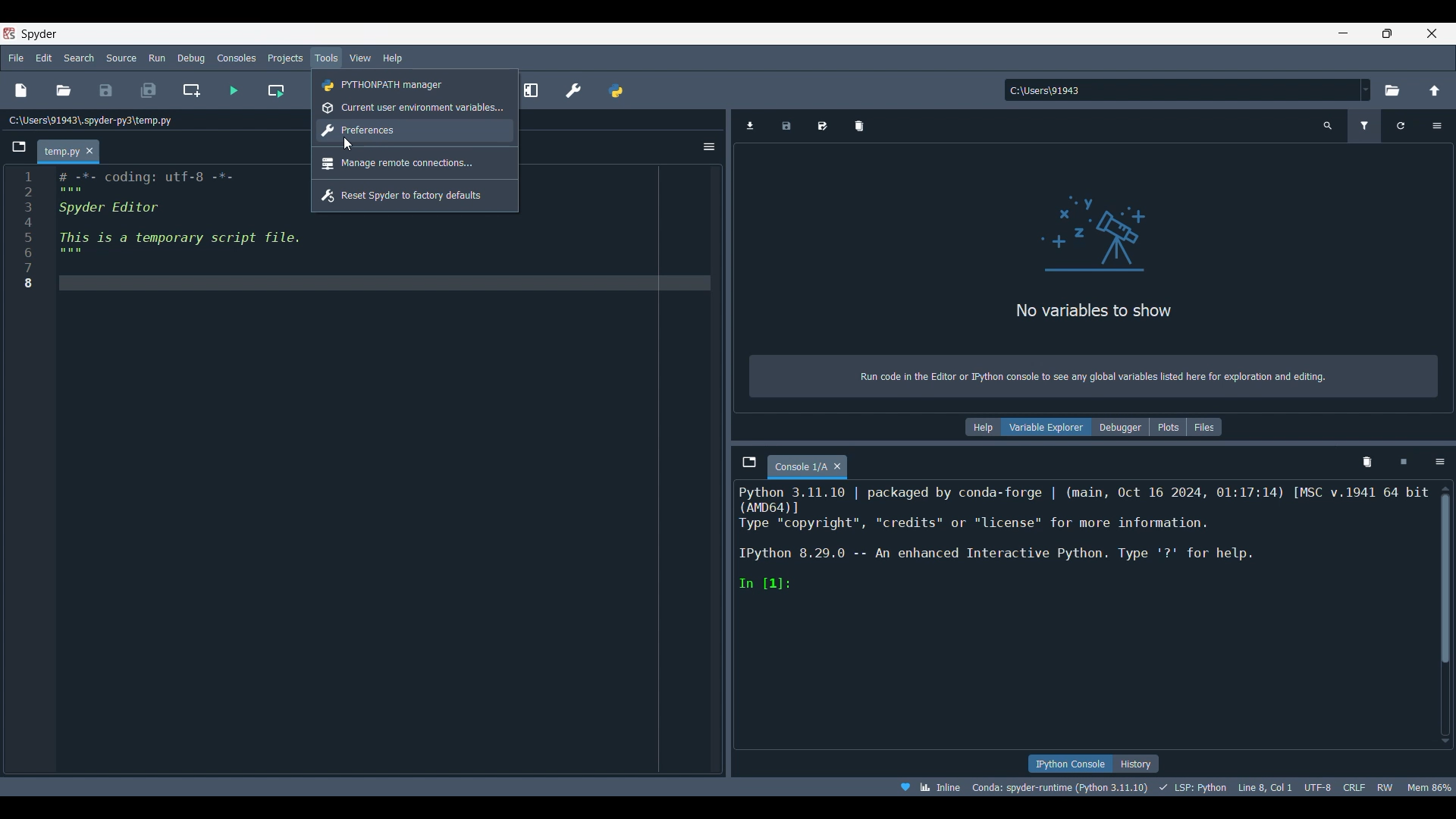 The image size is (1456, 819). Describe the element at coordinates (1401, 126) in the screenshot. I see `Refresh variables` at that location.